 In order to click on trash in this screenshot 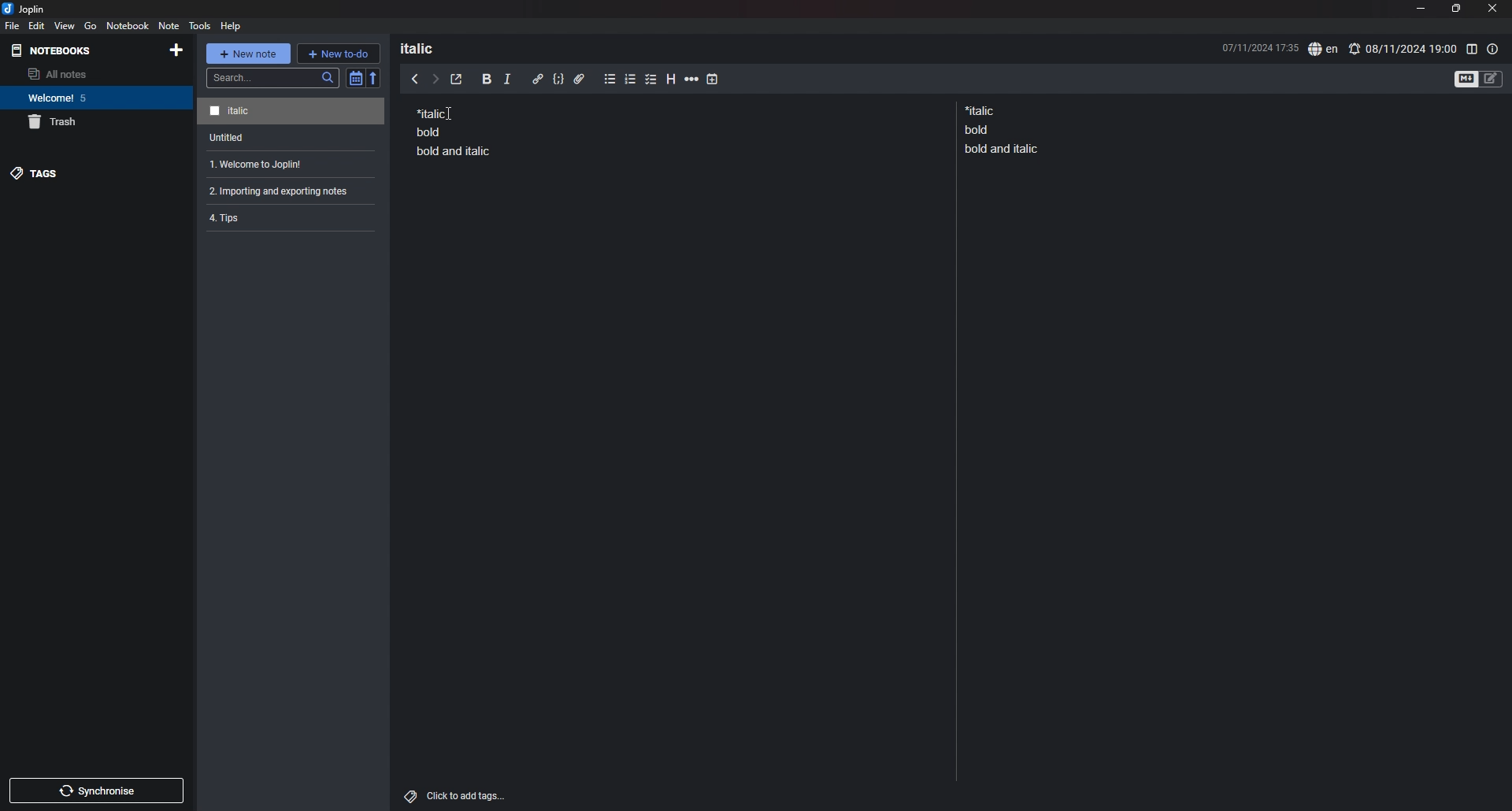, I will do `click(97, 122)`.